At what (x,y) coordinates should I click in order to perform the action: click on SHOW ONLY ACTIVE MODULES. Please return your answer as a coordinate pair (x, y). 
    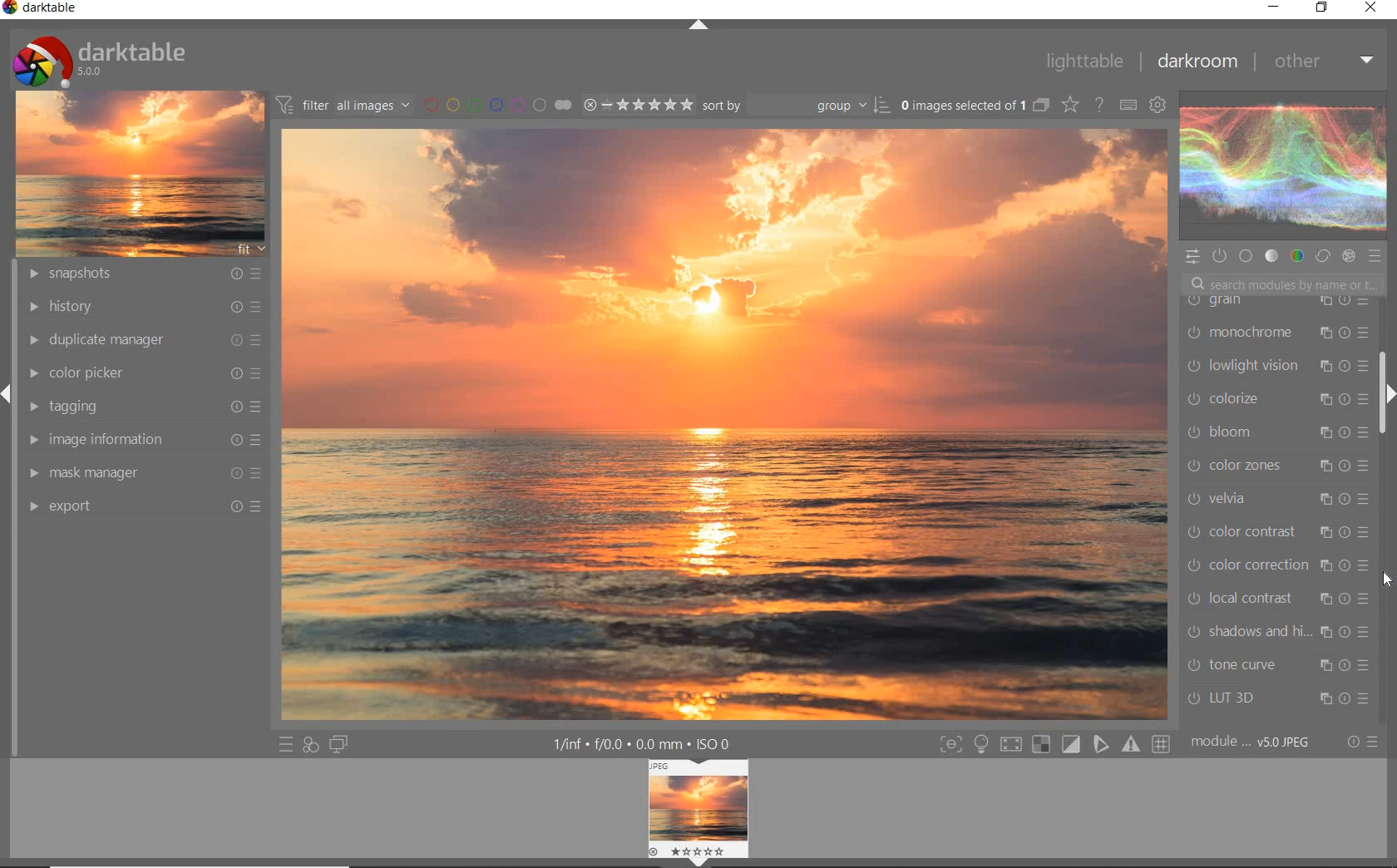
    Looking at the image, I should click on (1219, 255).